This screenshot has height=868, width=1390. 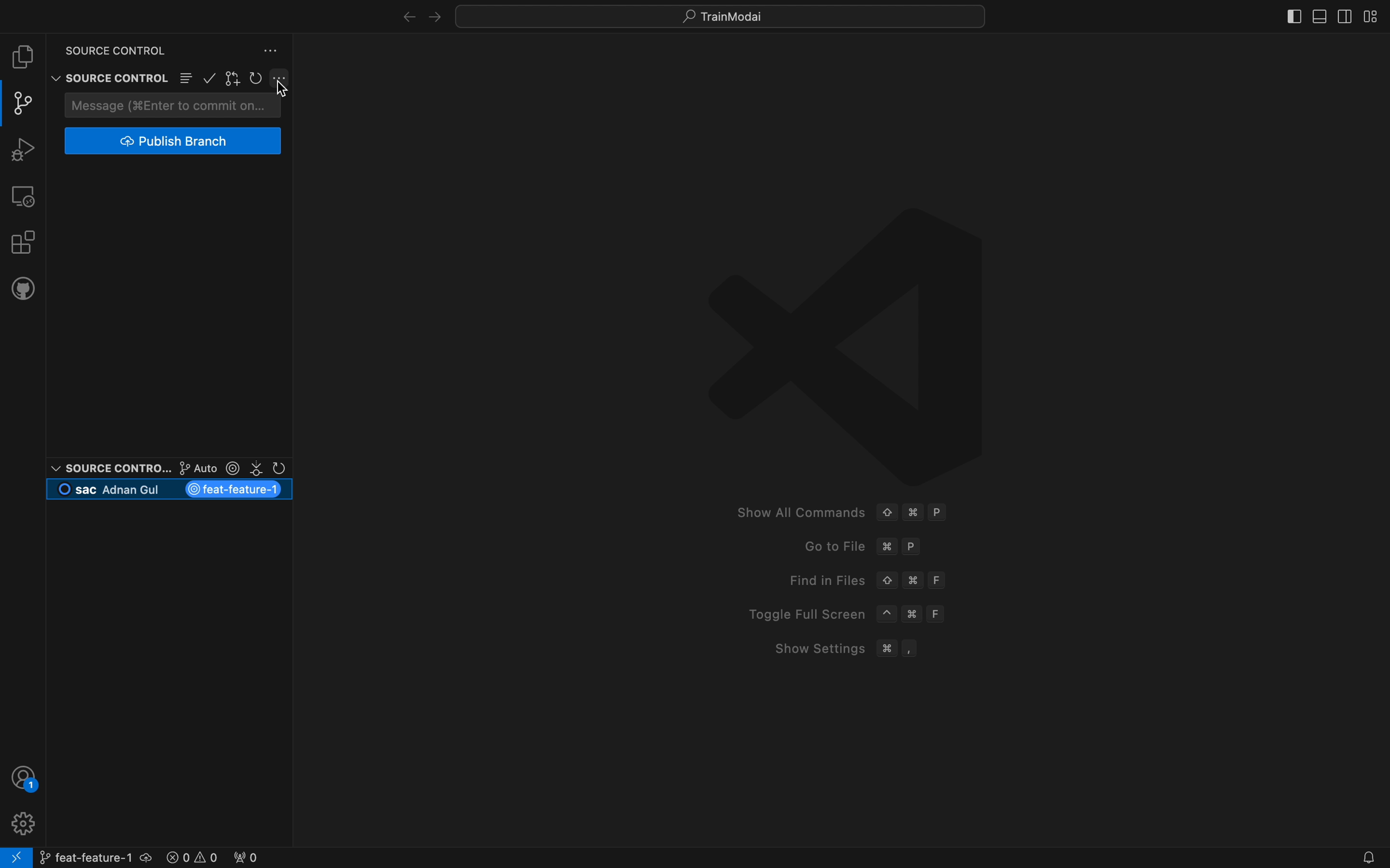 What do you see at coordinates (107, 67) in the screenshot?
I see `Source control` at bounding box center [107, 67].